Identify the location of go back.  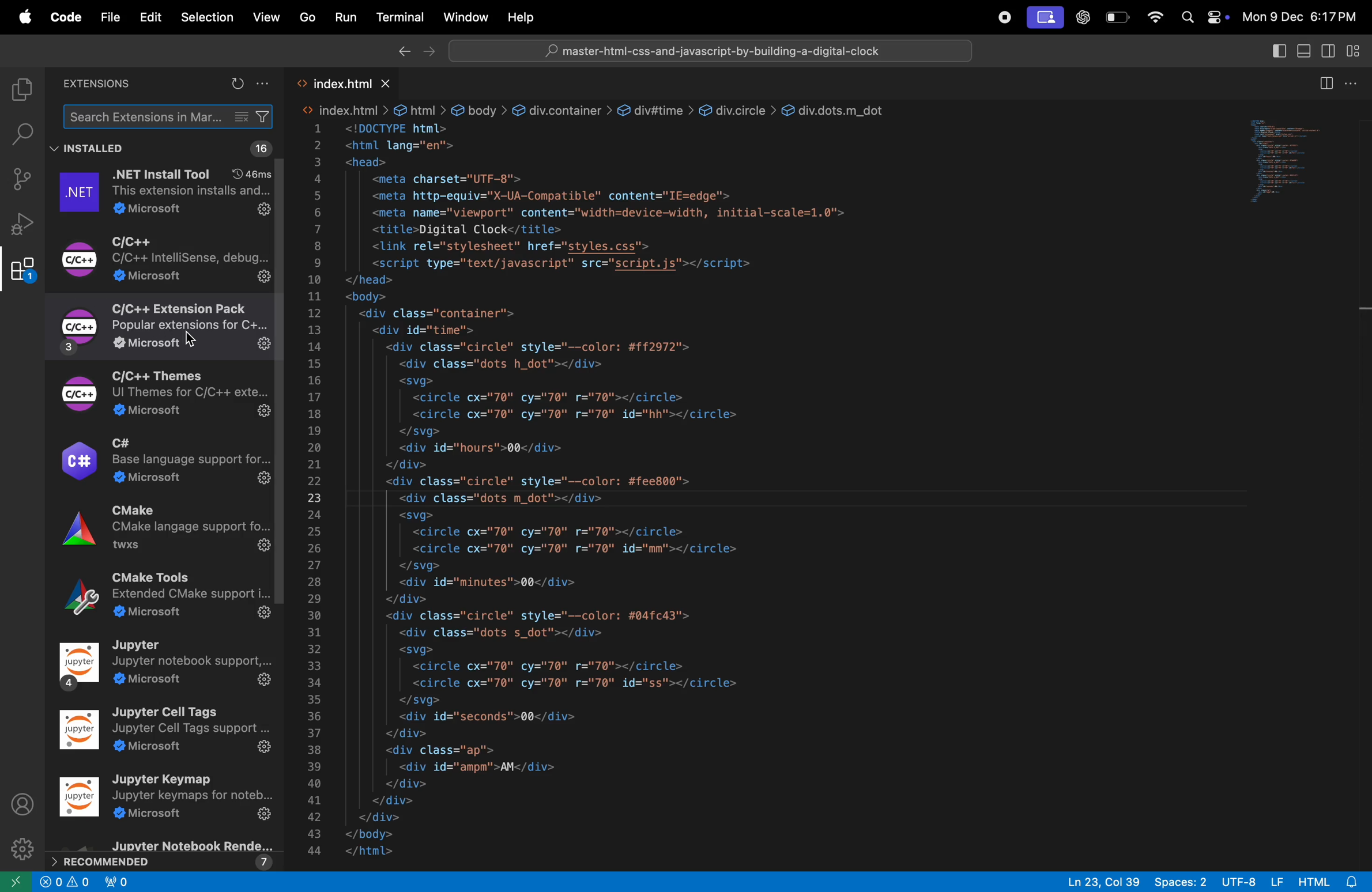
(14, 882).